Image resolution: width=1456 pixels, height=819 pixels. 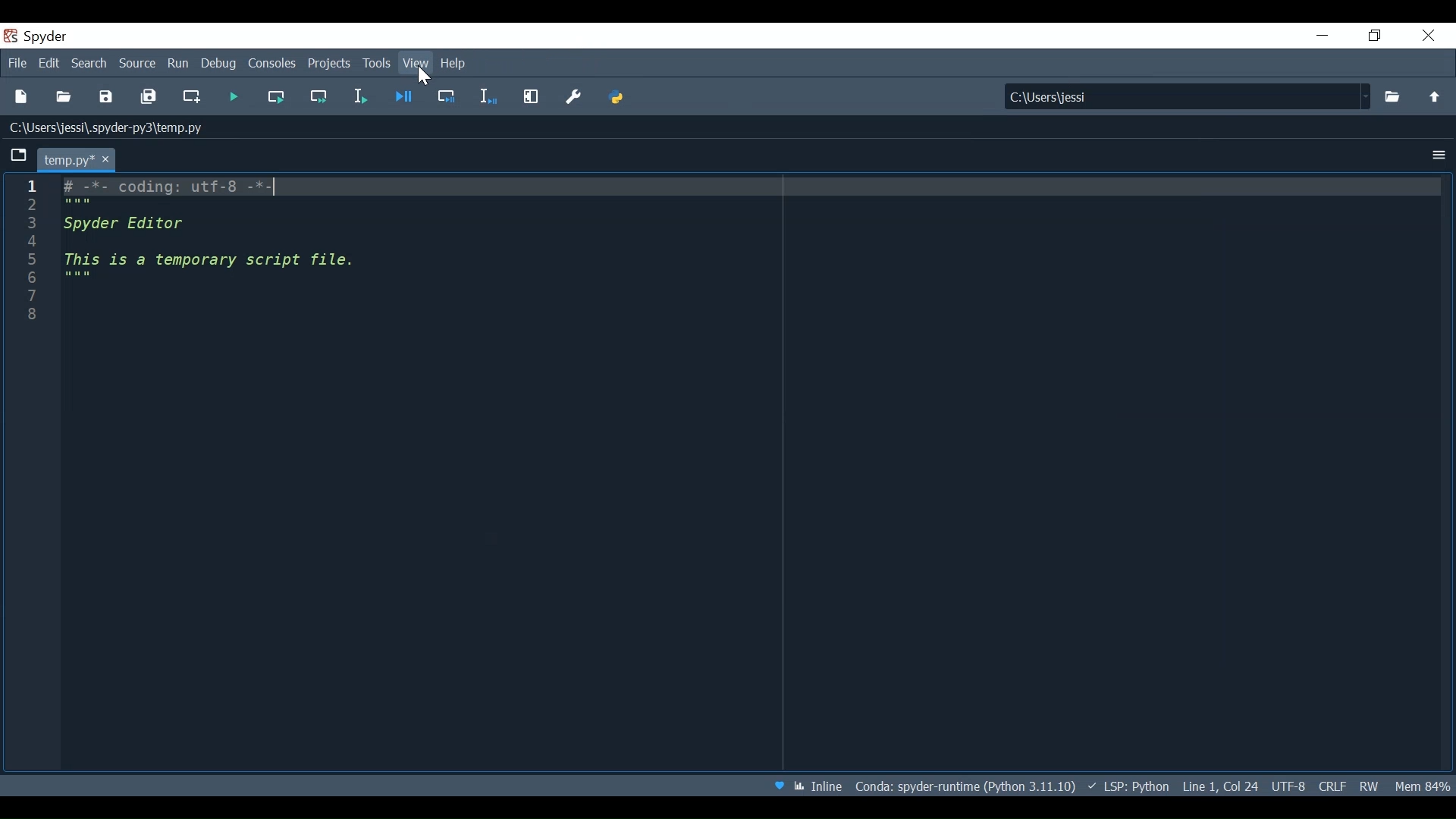 What do you see at coordinates (1422, 783) in the screenshot?
I see `Memory Usage` at bounding box center [1422, 783].